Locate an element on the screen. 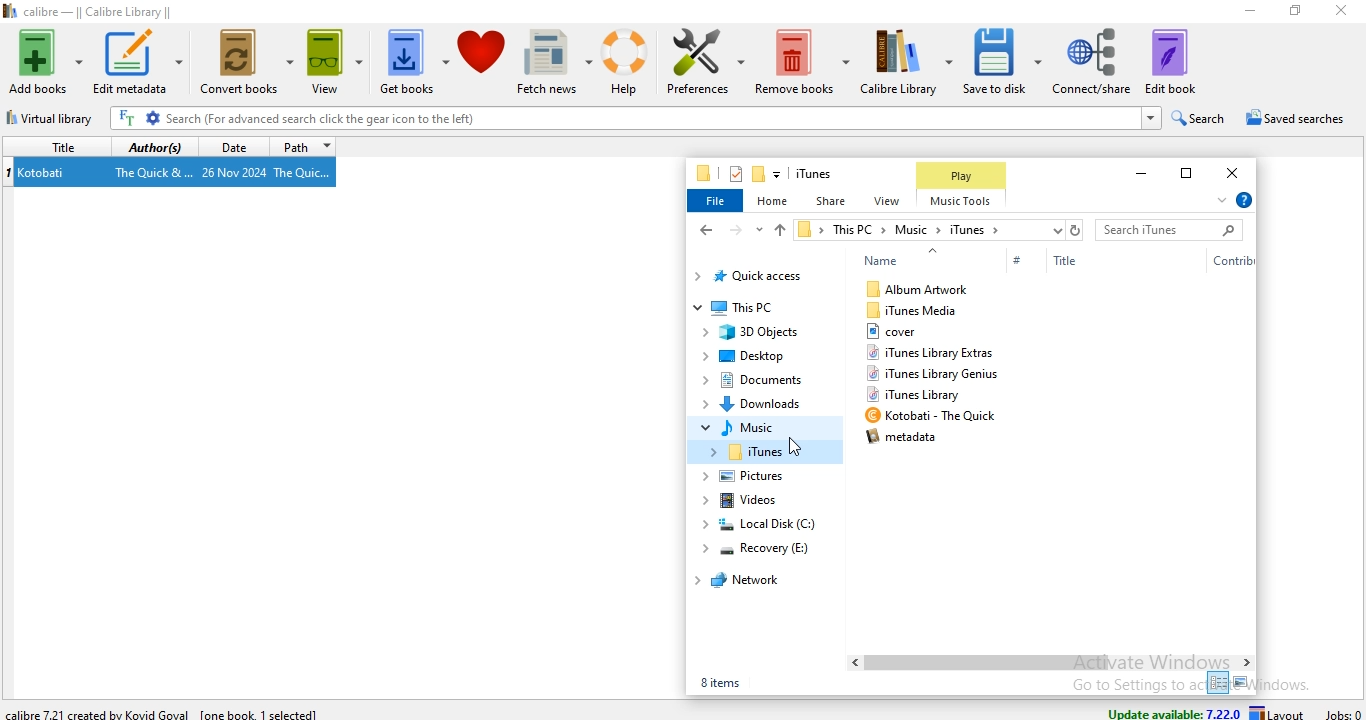  get books is located at coordinates (414, 63).